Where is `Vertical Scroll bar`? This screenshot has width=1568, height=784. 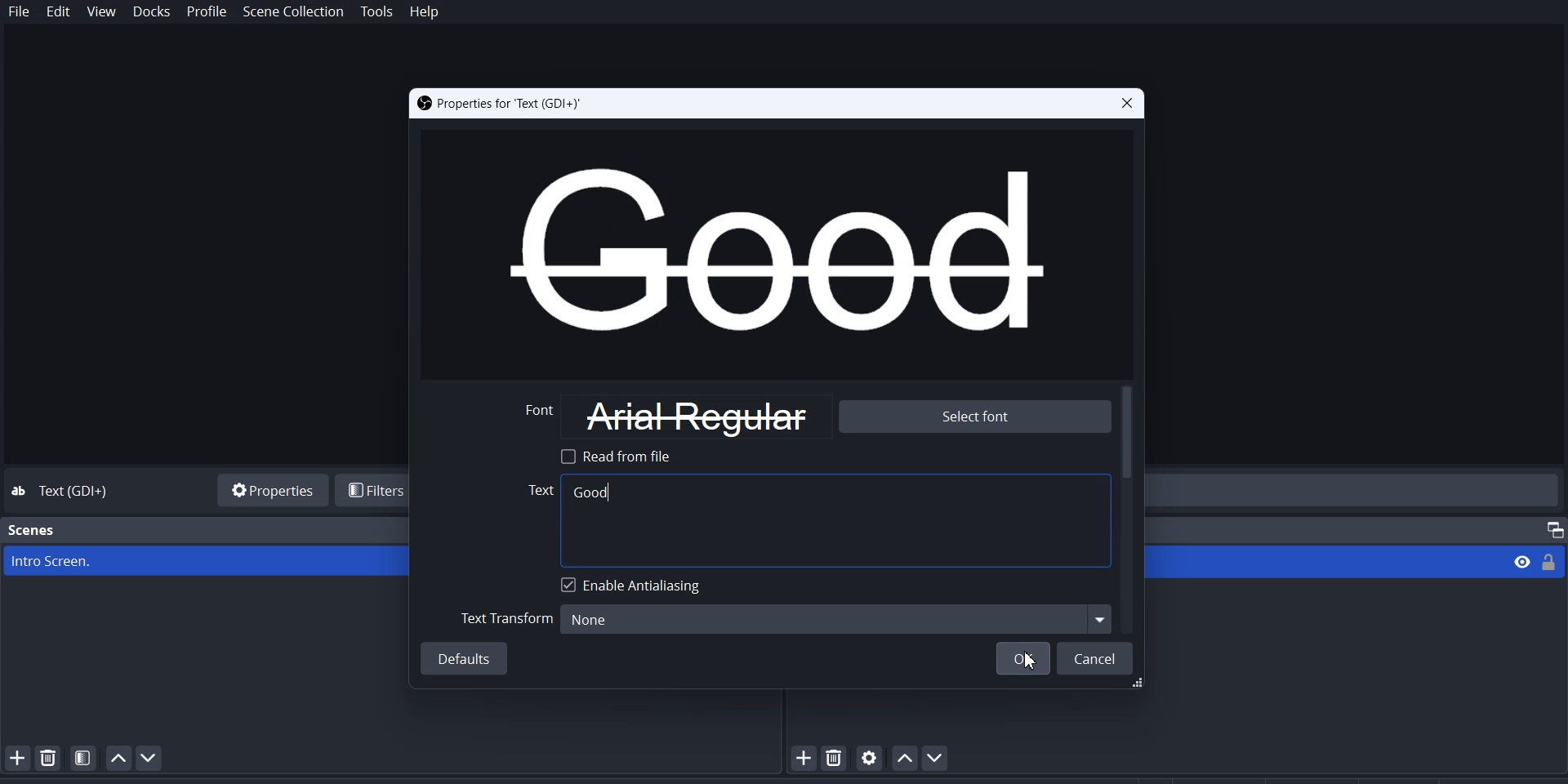
Vertical Scroll bar is located at coordinates (1129, 509).